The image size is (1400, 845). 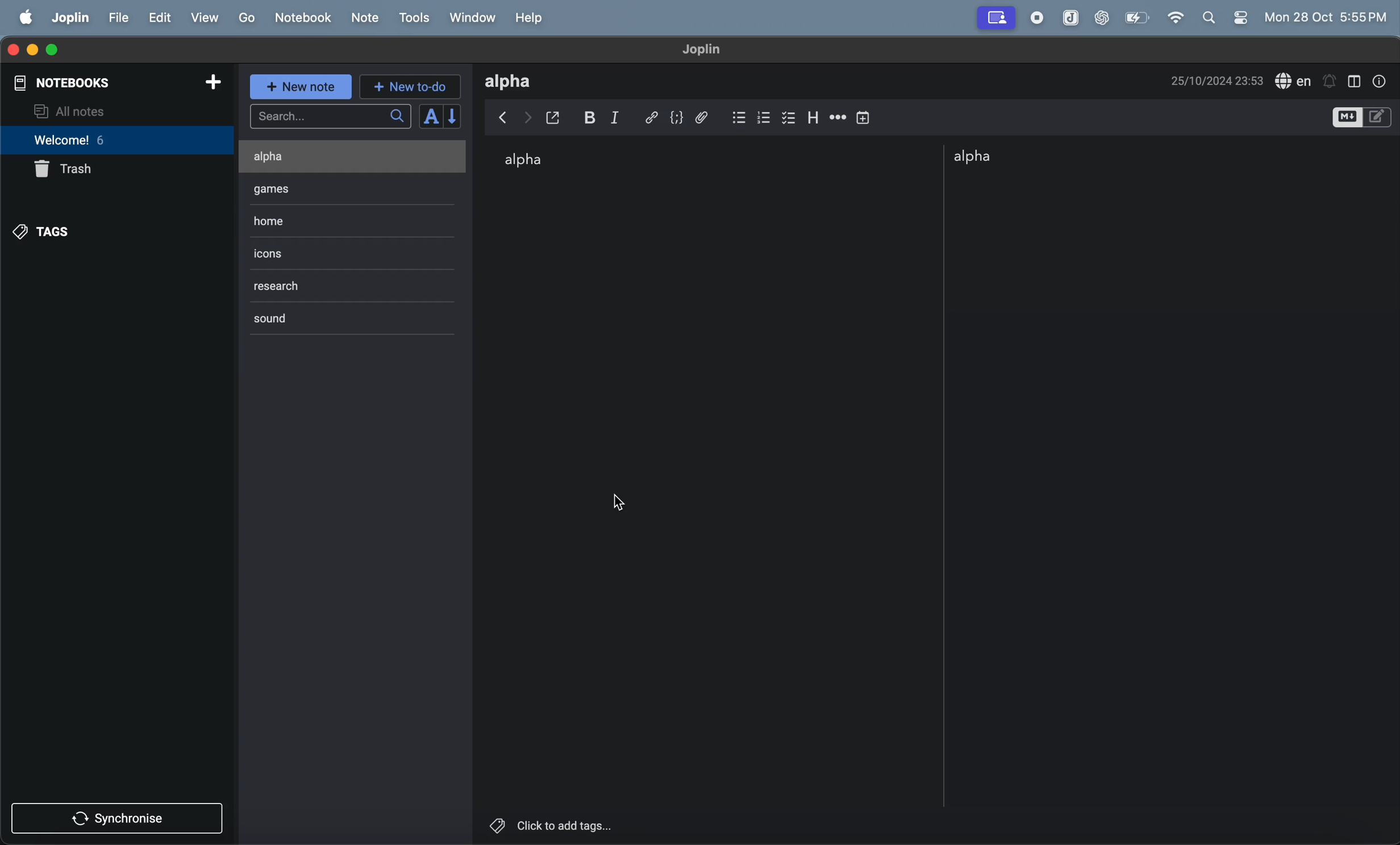 I want to click on All notes, so click(x=114, y=111).